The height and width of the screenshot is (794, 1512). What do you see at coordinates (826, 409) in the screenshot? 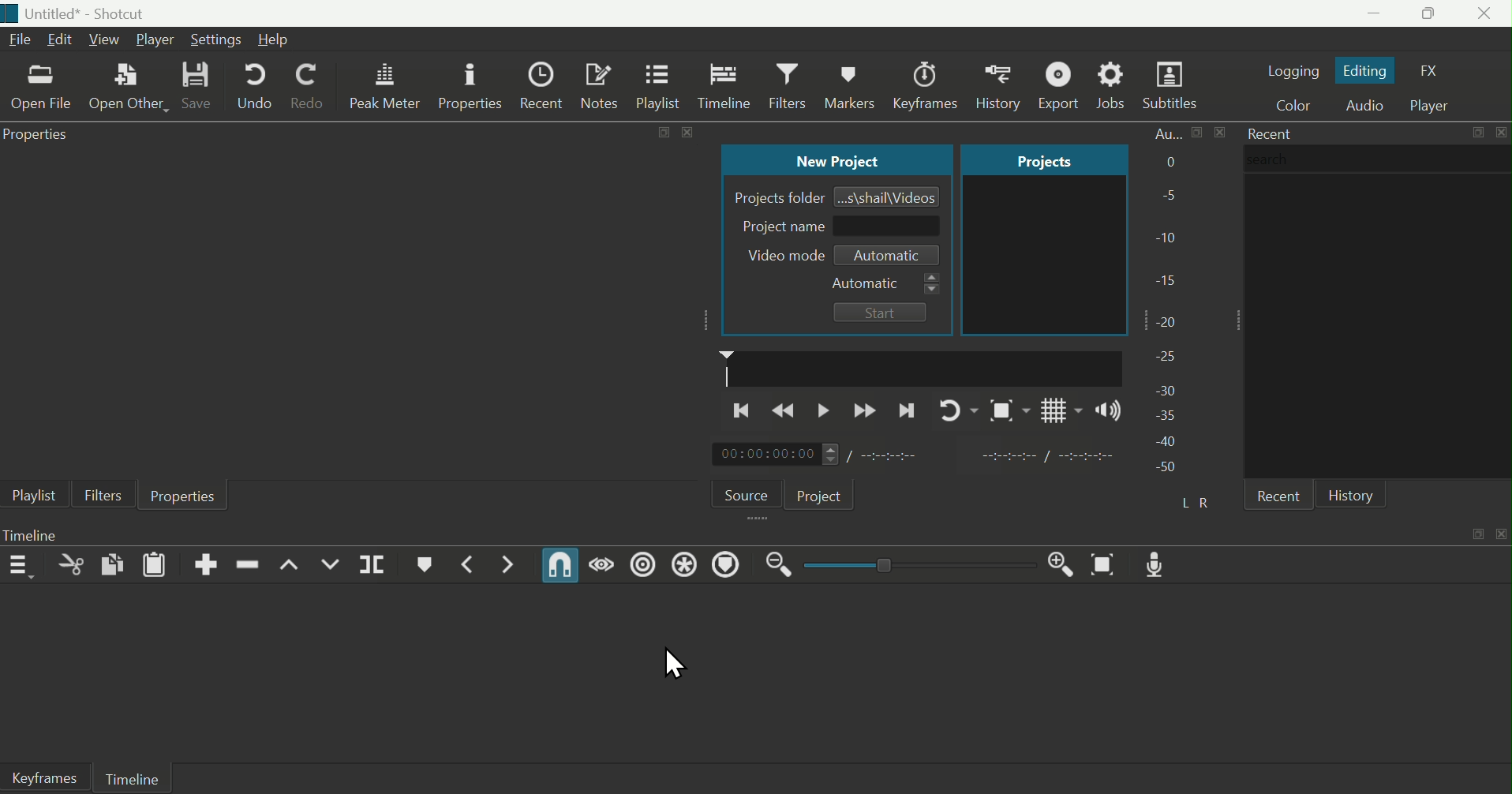
I see `Play/Pause` at bounding box center [826, 409].